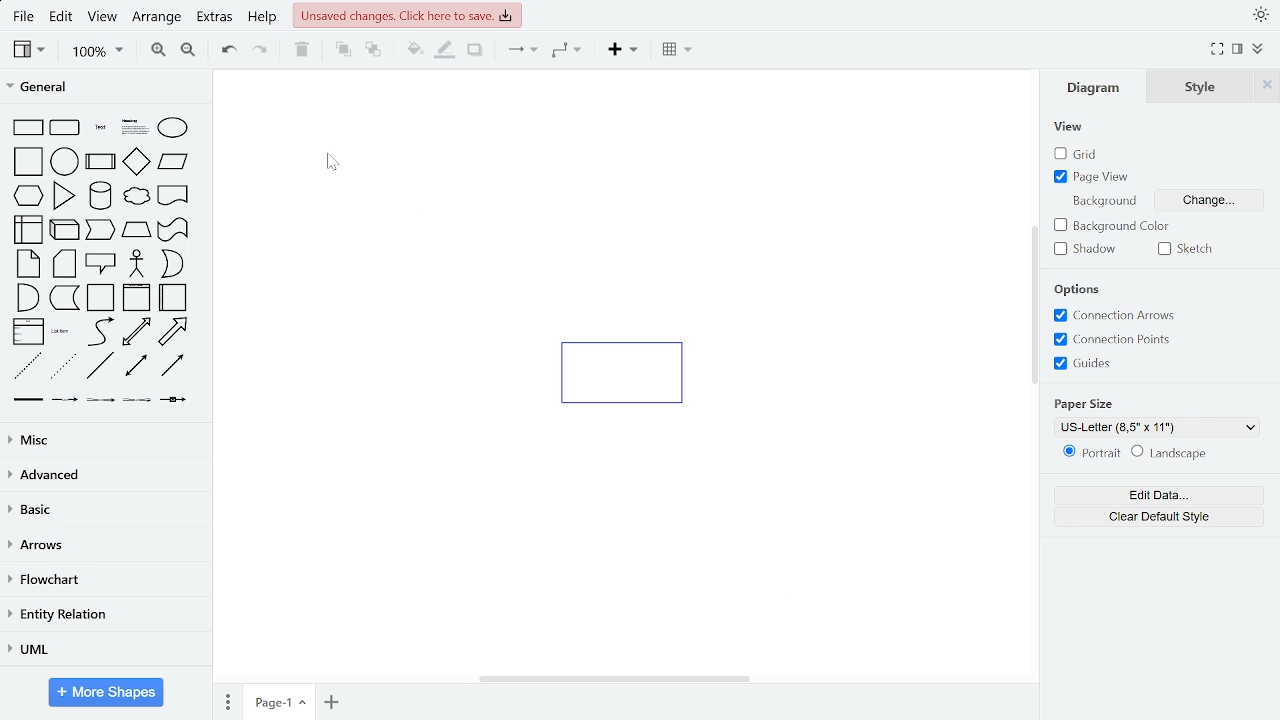 Image resolution: width=1280 pixels, height=720 pixels. Describe the element at coordinates (1088, 178) in the screenshot. I see `page view` at that location.